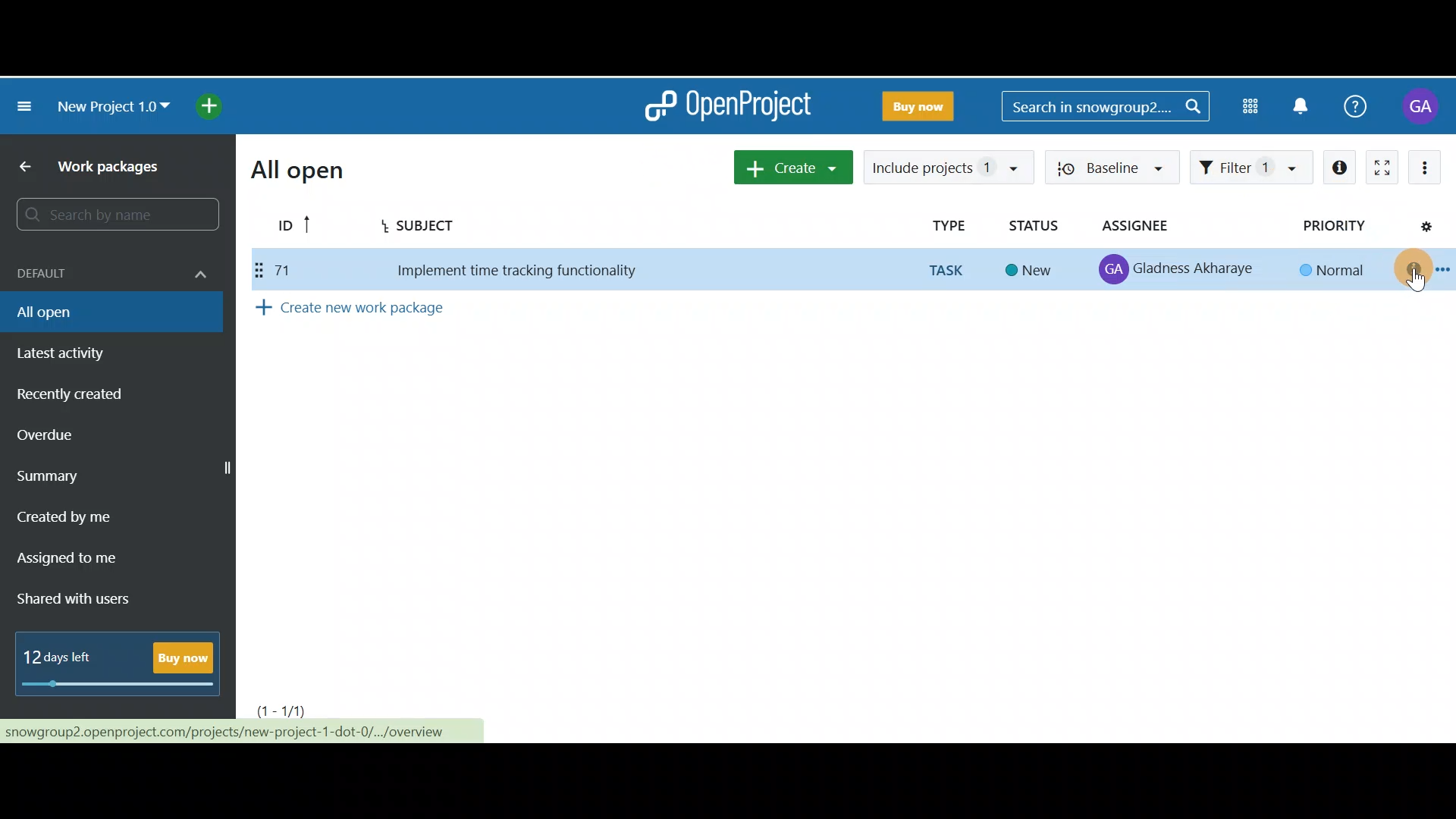 Image resolution: width=1456 pixels, height=819 pixels. Describe the element at coordinates (946, 166) in the screenshot. I see `Include projects` at that location.